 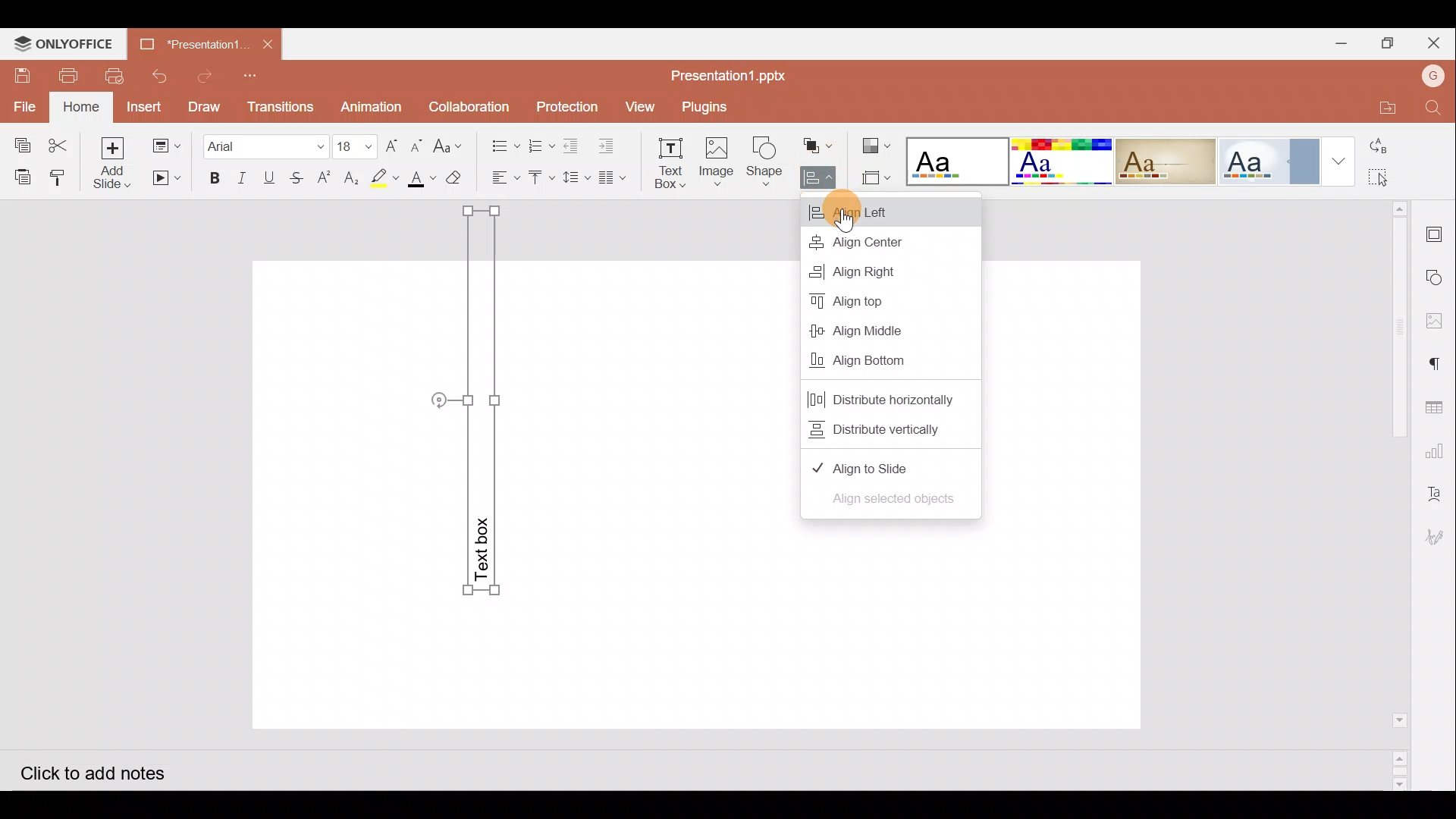 What do you see at coordinates (883, 242) in the screenshot?
I see `Align Centre` at bounding box center [883, 242].